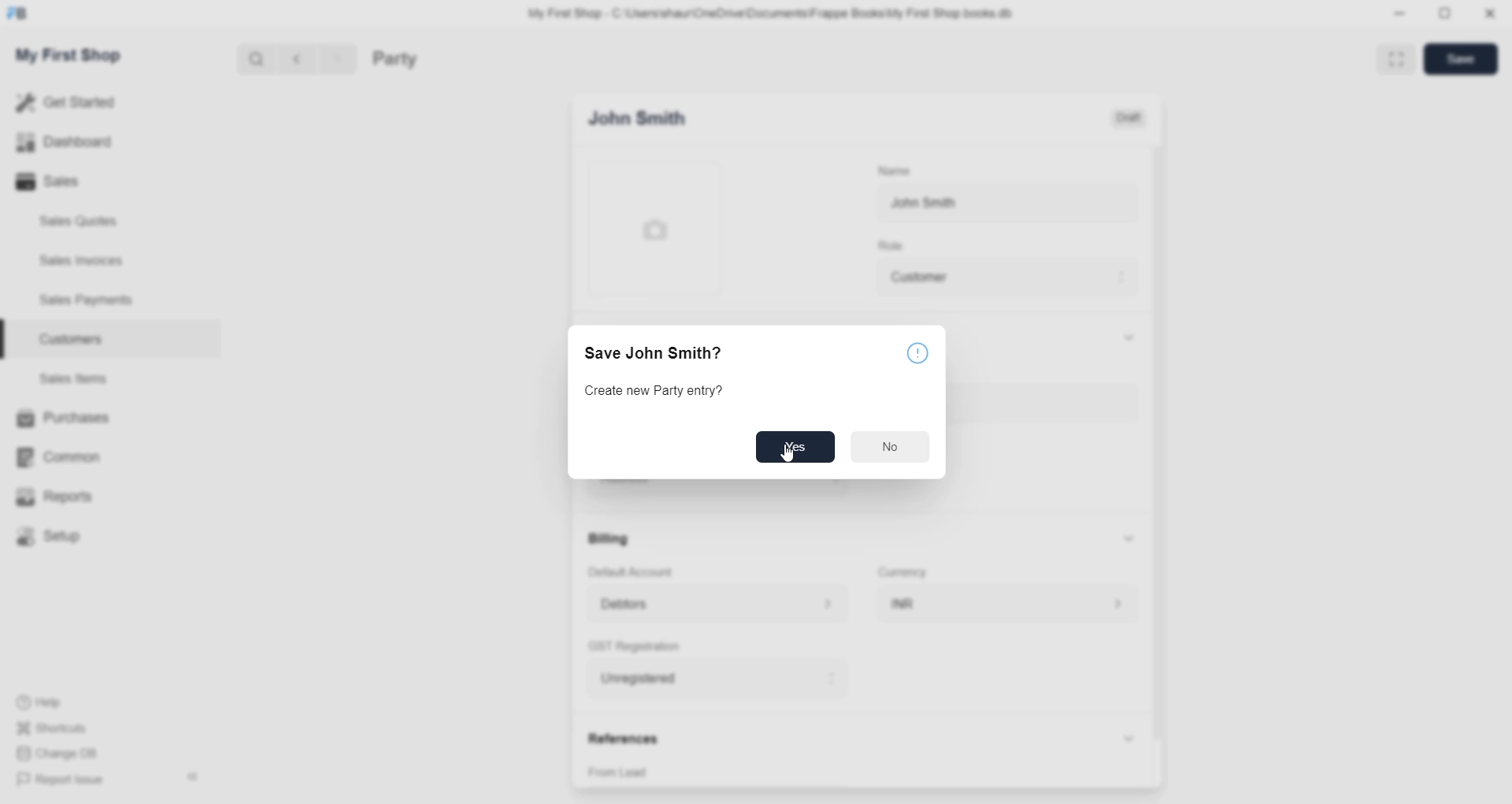  Describe the element at coordinates (298, 60) in the screenshot. I see `go back` at that location.